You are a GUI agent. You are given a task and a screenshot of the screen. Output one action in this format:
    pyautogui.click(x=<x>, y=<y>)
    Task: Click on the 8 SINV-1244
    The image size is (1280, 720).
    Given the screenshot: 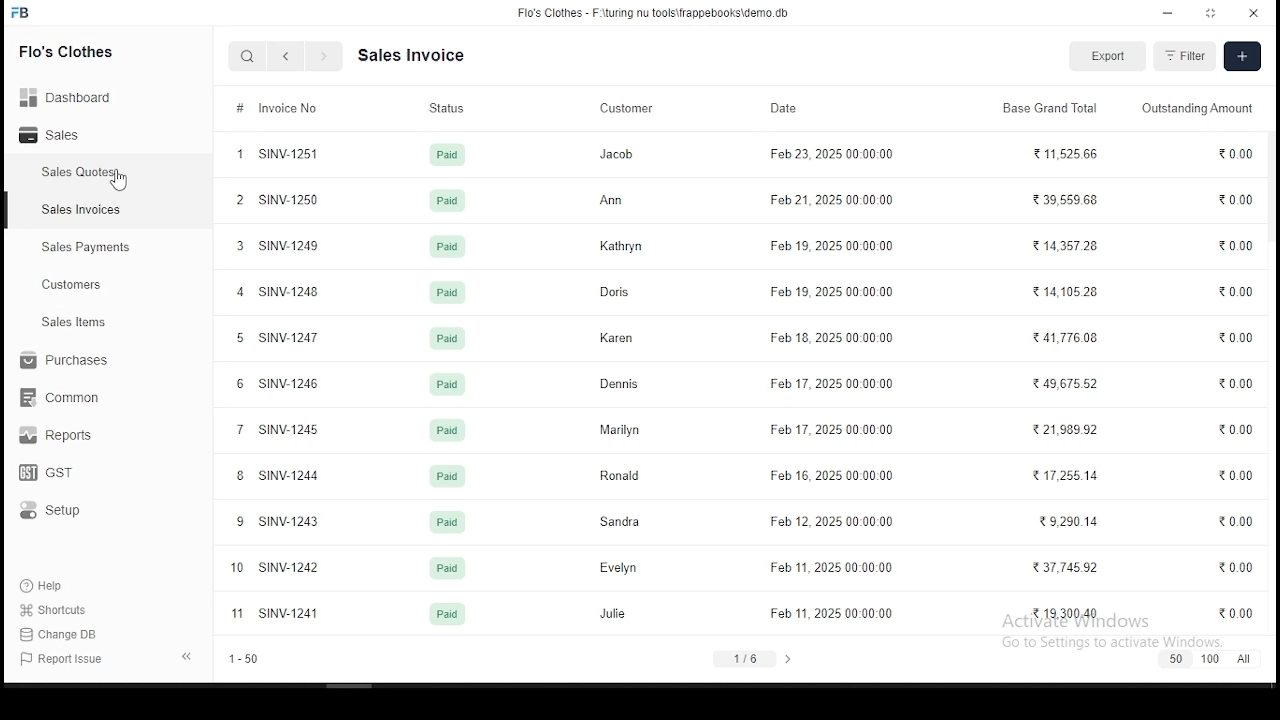 What is the action you would take?
    pyautogui.click(x=279, y=472)
    